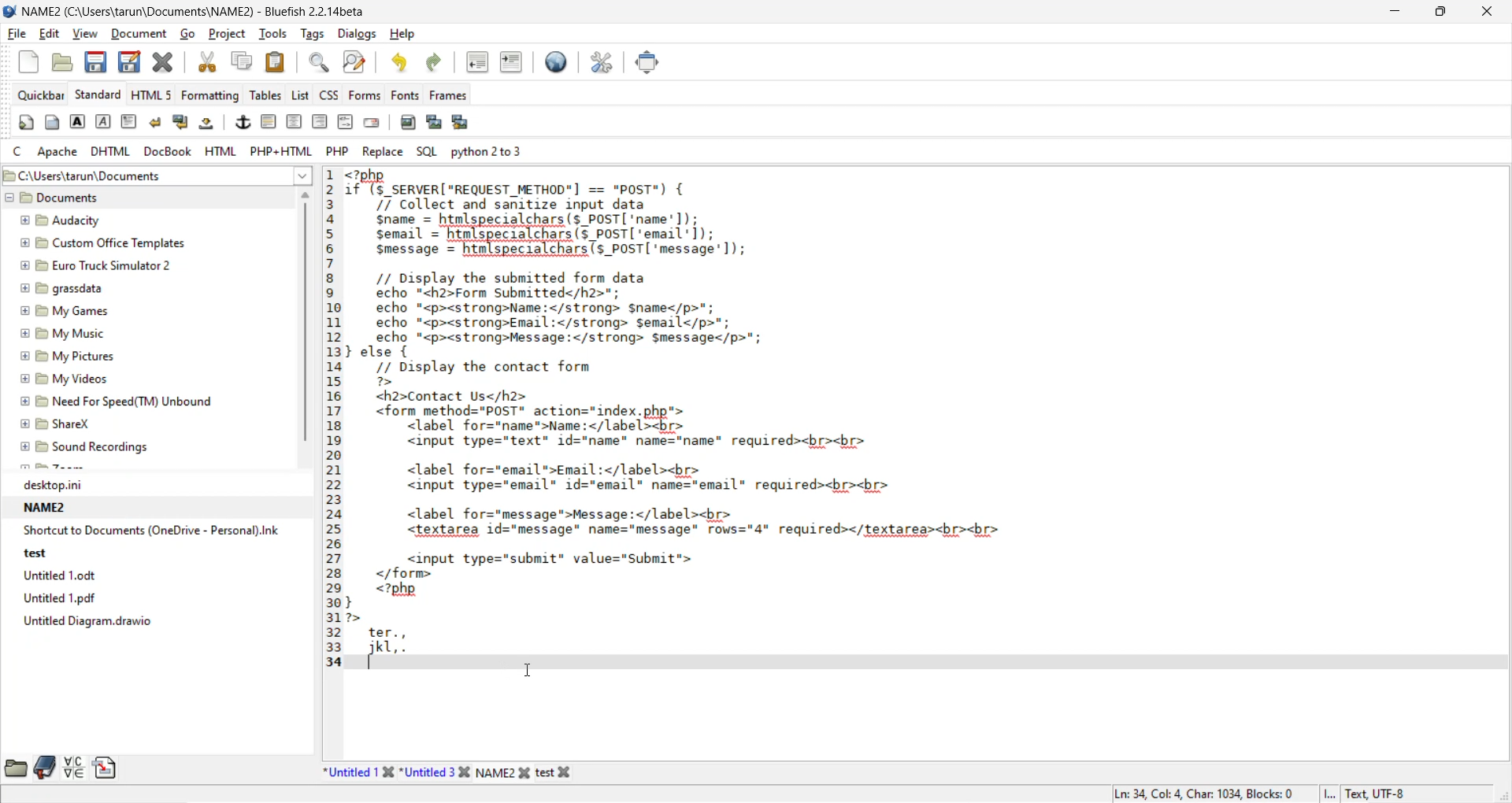  I want to click on documents, so click(57, 198).